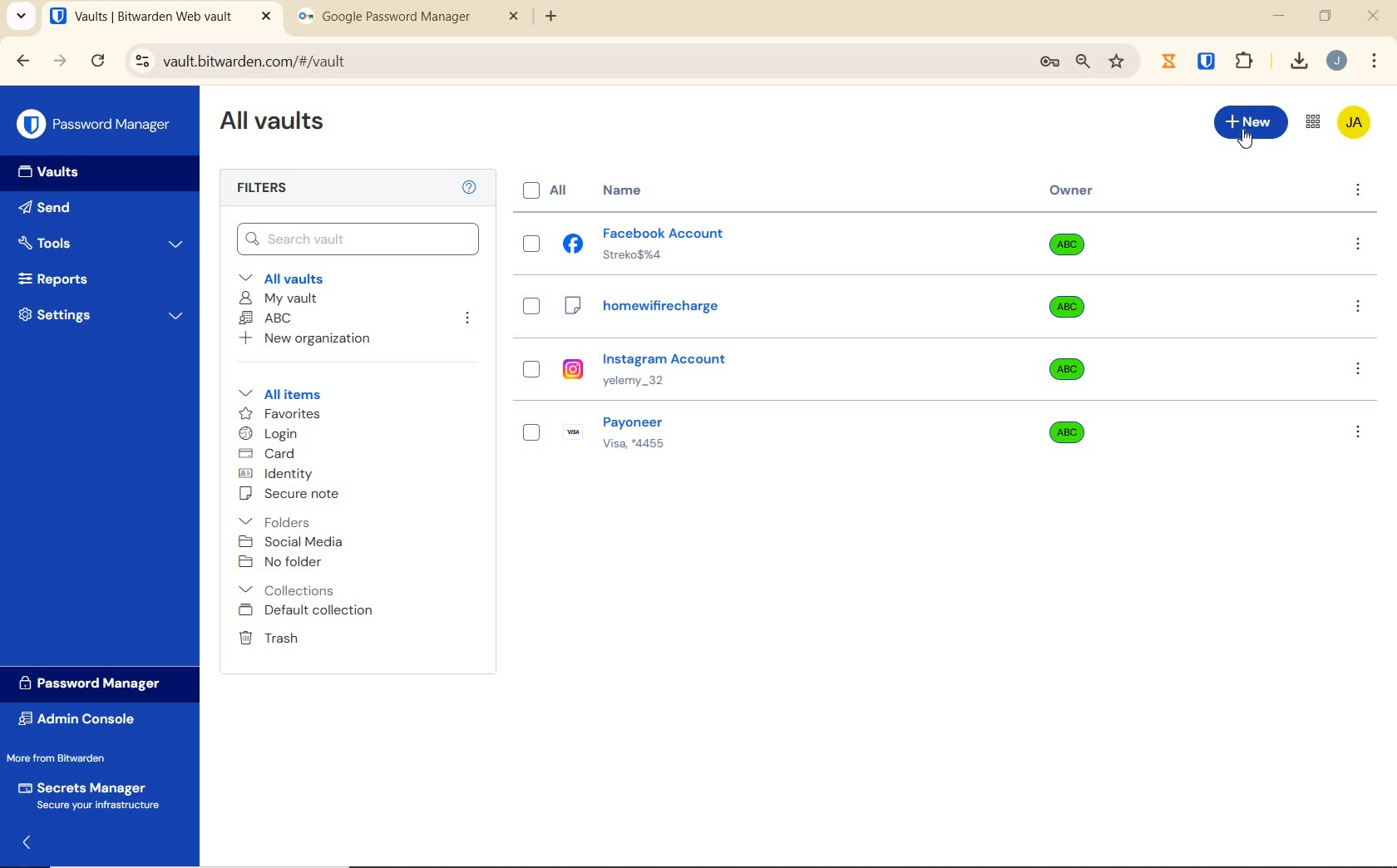  What do you see at coordinates (1361, 308) in the screenshot?
I see `option` at bounding box center [1361, 308].